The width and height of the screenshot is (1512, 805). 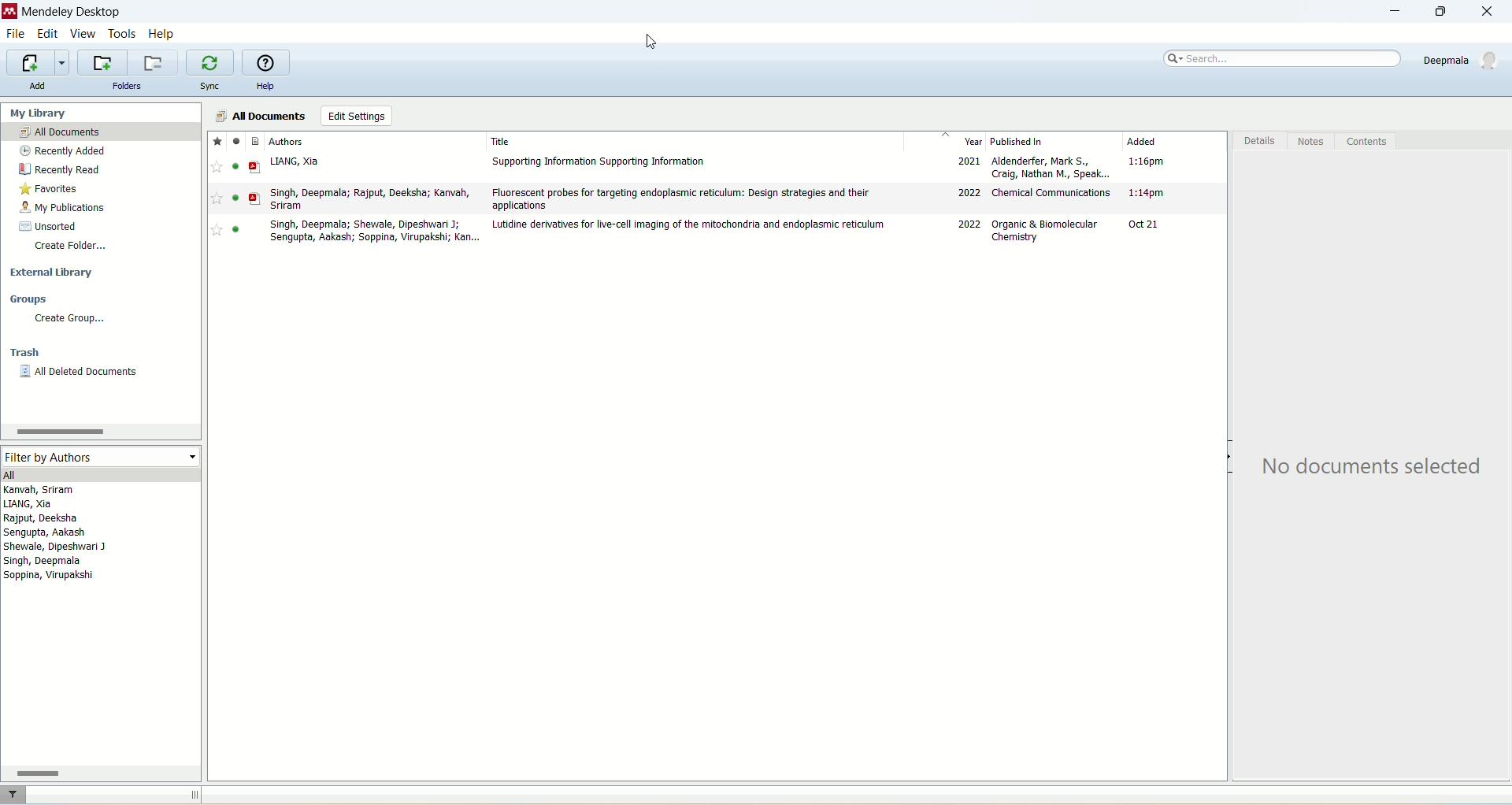 What do you see at coordinates (1368, 469) in the screenshot?
I see `No documents selected` at bounding box center [1368, 469].